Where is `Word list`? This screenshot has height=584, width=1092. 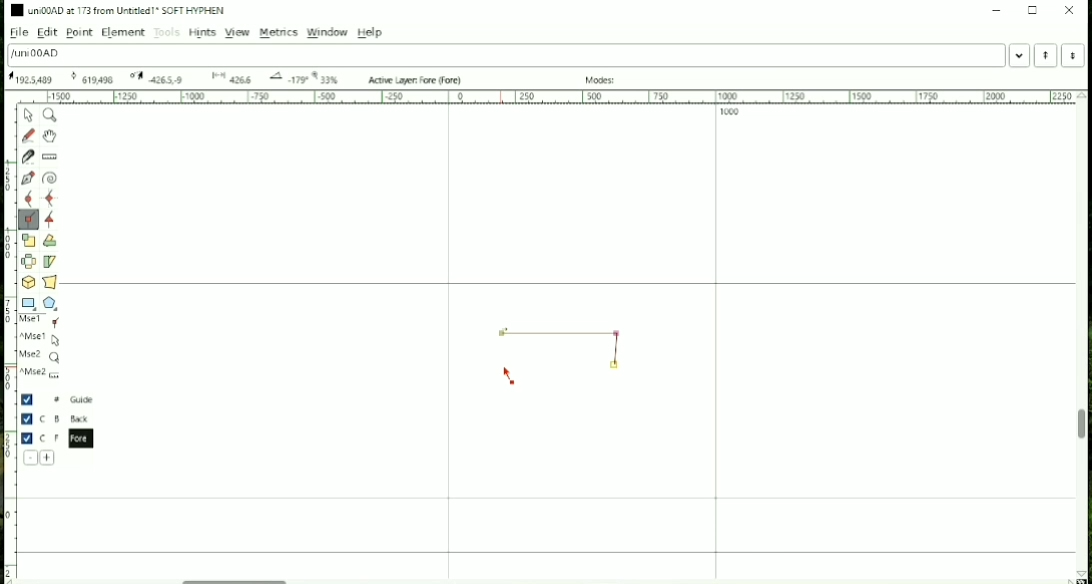
Word list is located at coordinates (1020, 55).